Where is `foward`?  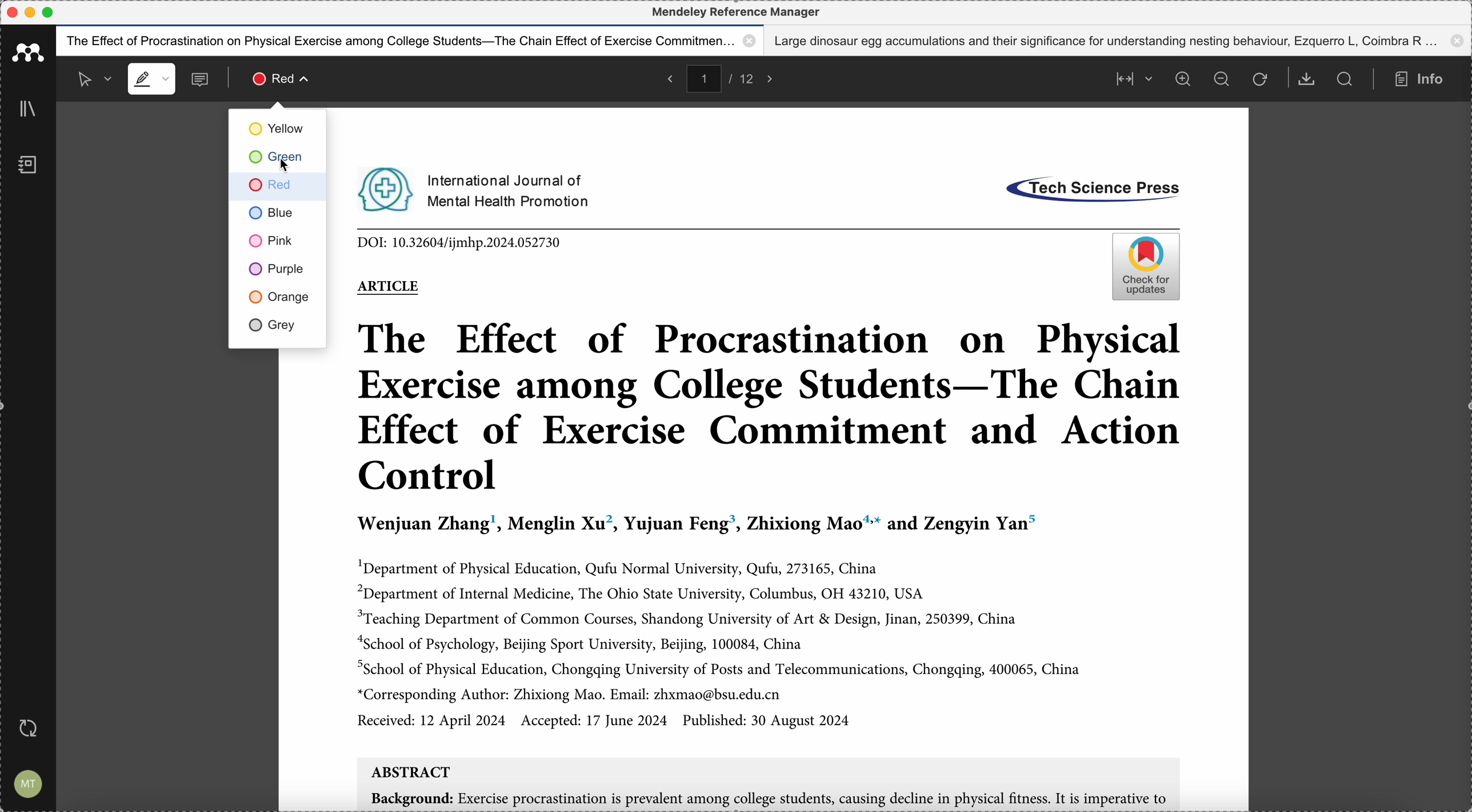 foward is located at coordinates (774, 78).